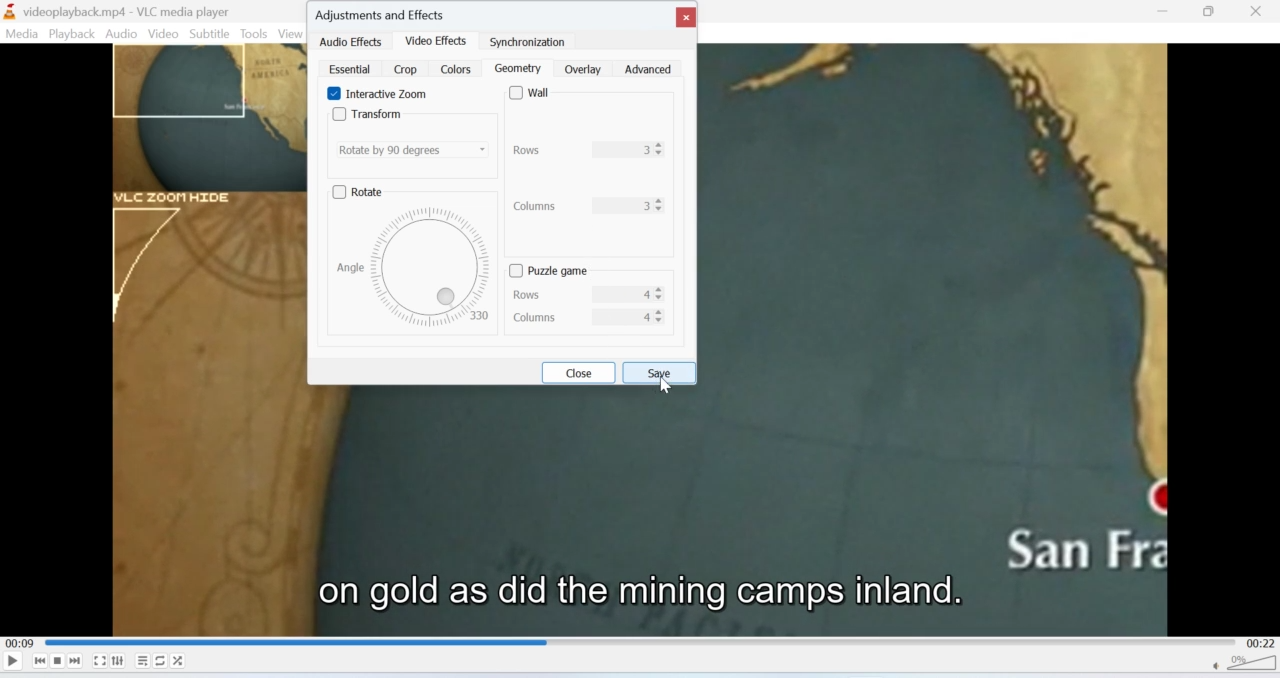 This screenshot has width=1280, height=678. What do you see at coordinates (1166, 10) in the screenshot?
I see `Minimise` at bounding box center [1166, 10].